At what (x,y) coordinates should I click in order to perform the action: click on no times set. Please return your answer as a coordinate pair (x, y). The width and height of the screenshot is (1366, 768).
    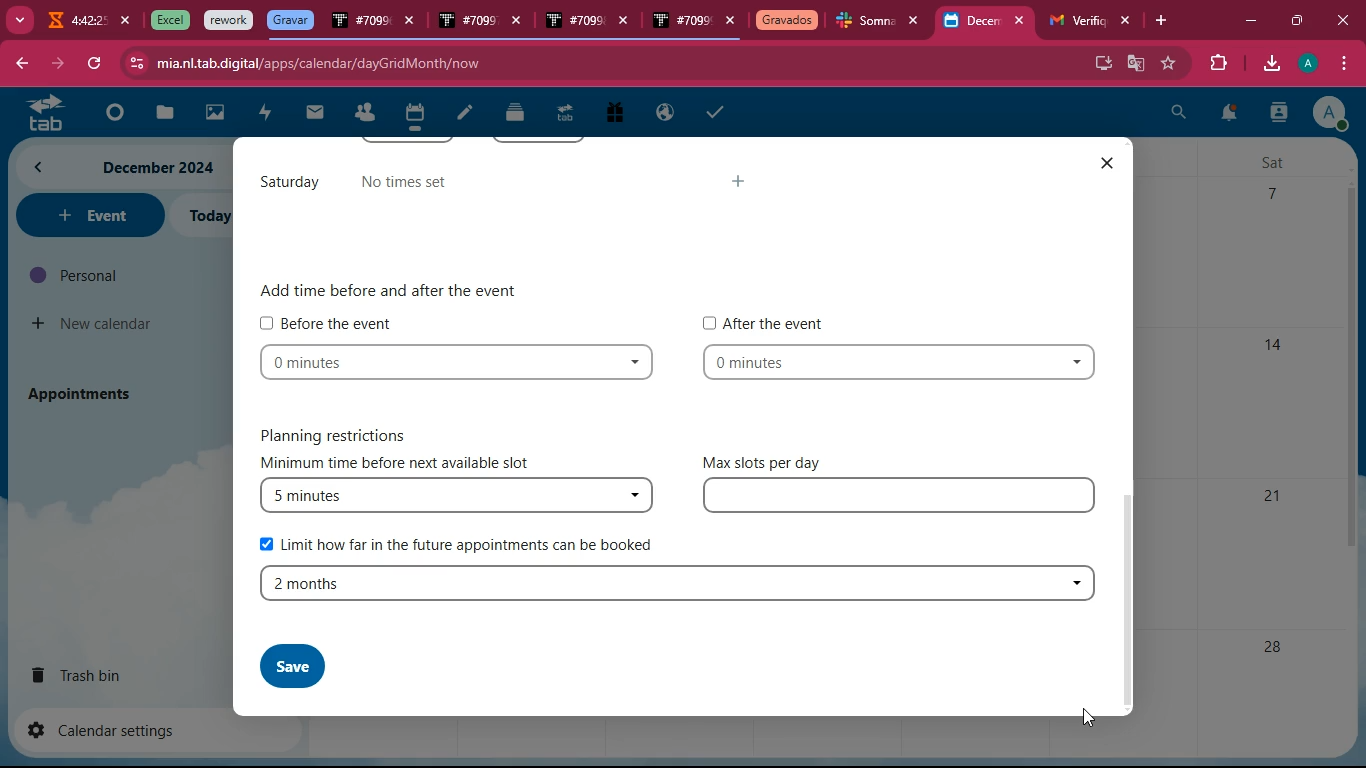
    Looking at the image, I should click on (402, 185).